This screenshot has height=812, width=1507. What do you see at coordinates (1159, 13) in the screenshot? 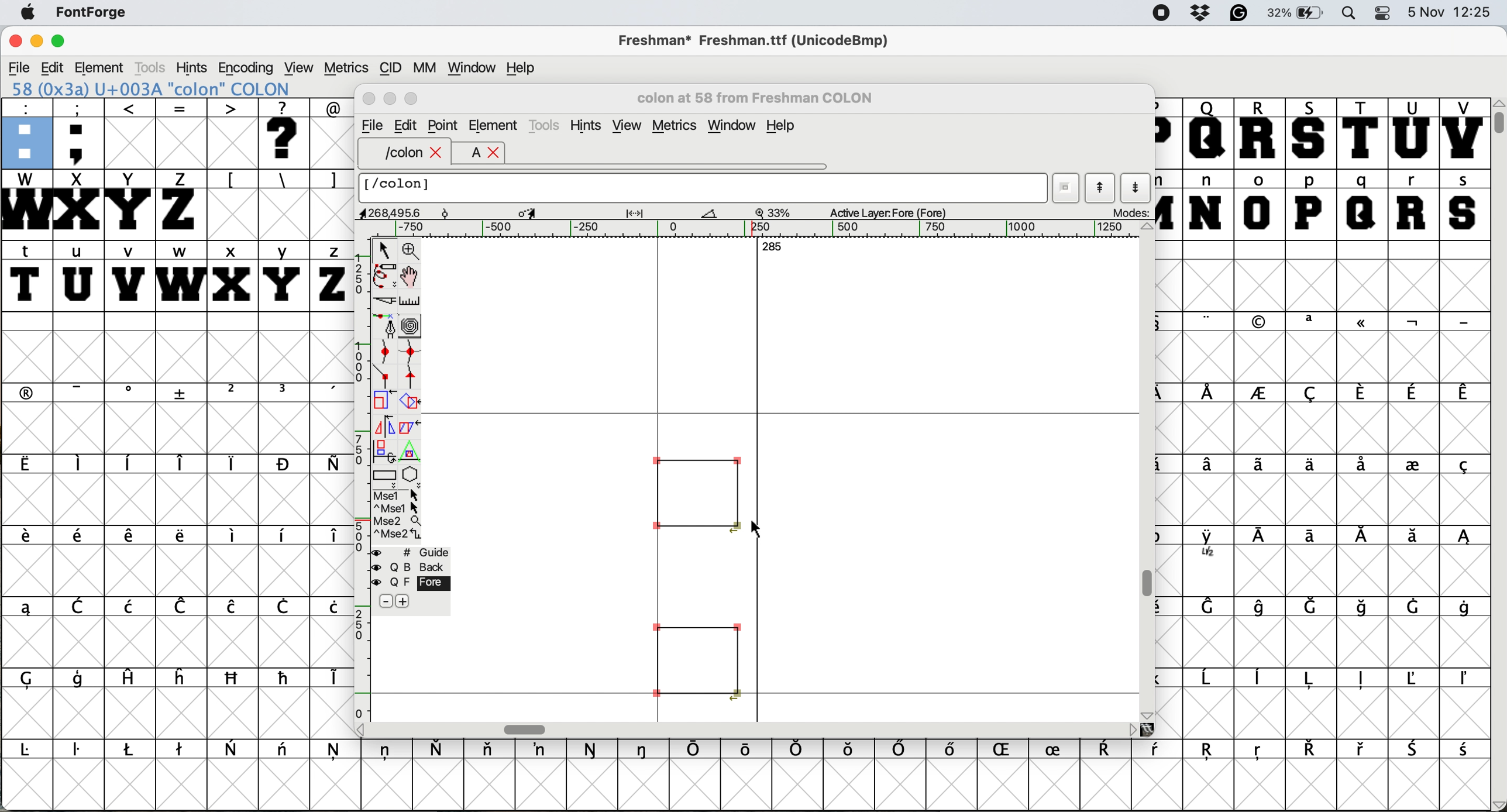
I see `screen recorder` at bounding box center [1159, 13].